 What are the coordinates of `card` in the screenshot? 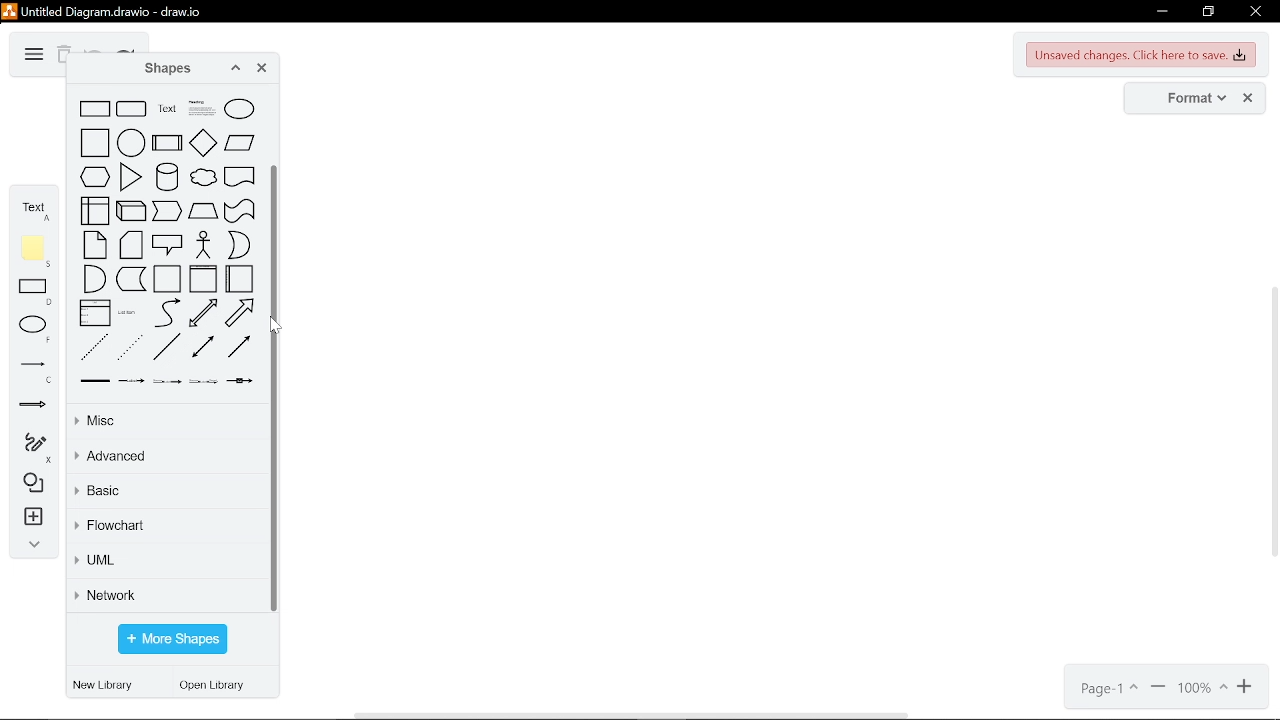 It's located at (131, 245).